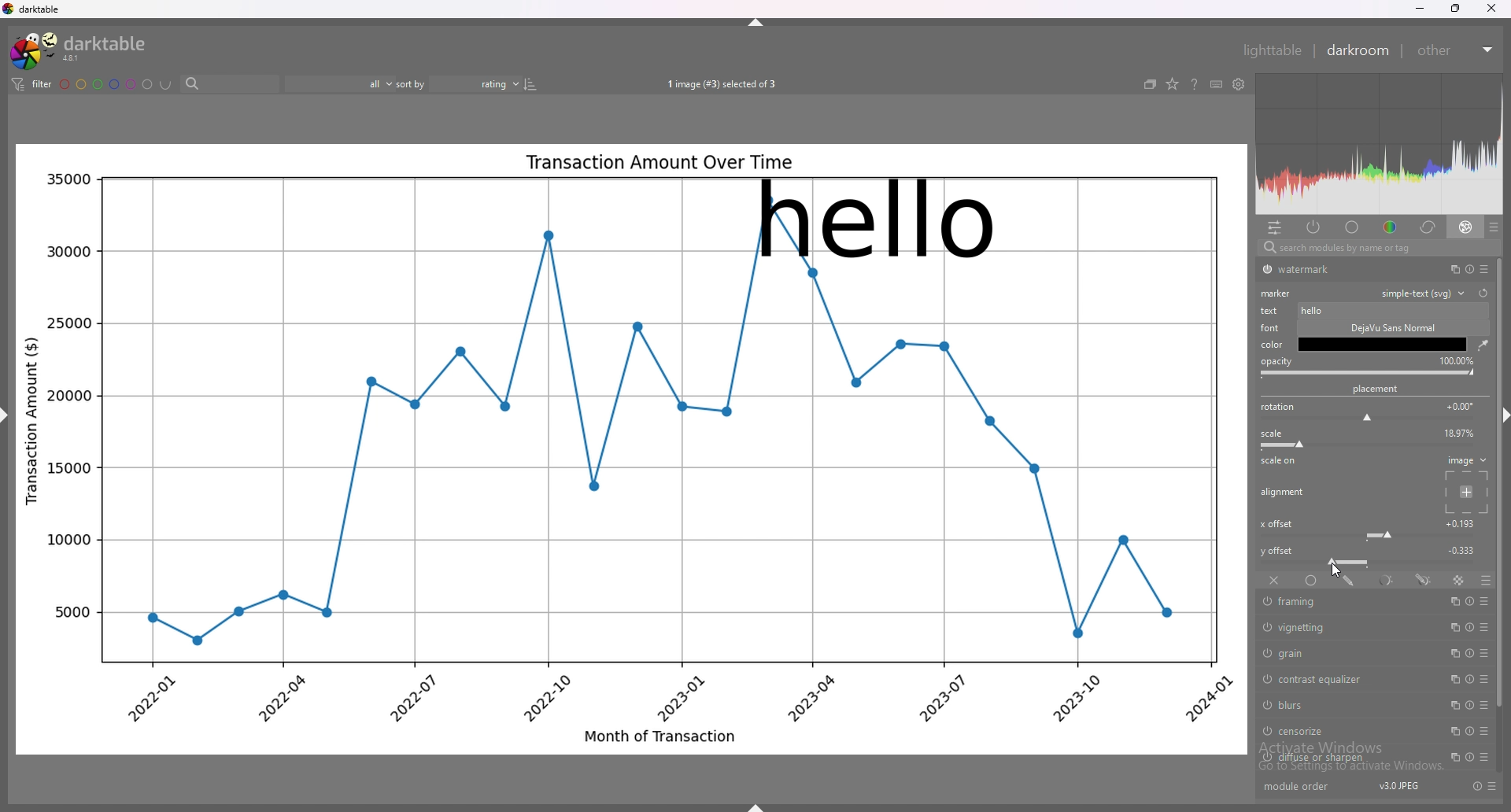 This screenshot has width=1511, height=812. What do you see at coordinates (764, 800) in the screenshot?
I see `hide` at bounding box center [764, 800].